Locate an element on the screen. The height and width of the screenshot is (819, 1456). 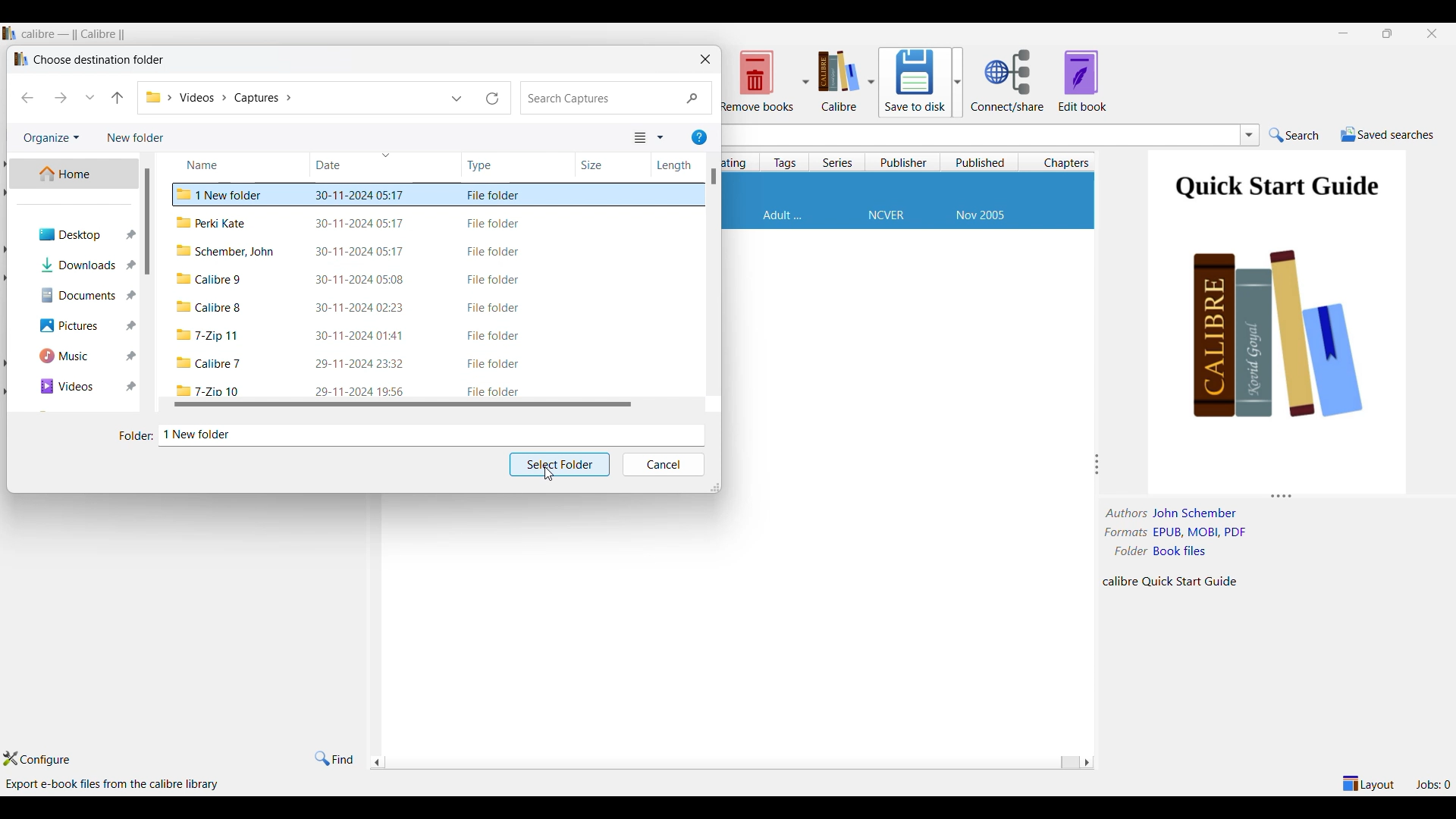
date is located at coordinates (362, 281).